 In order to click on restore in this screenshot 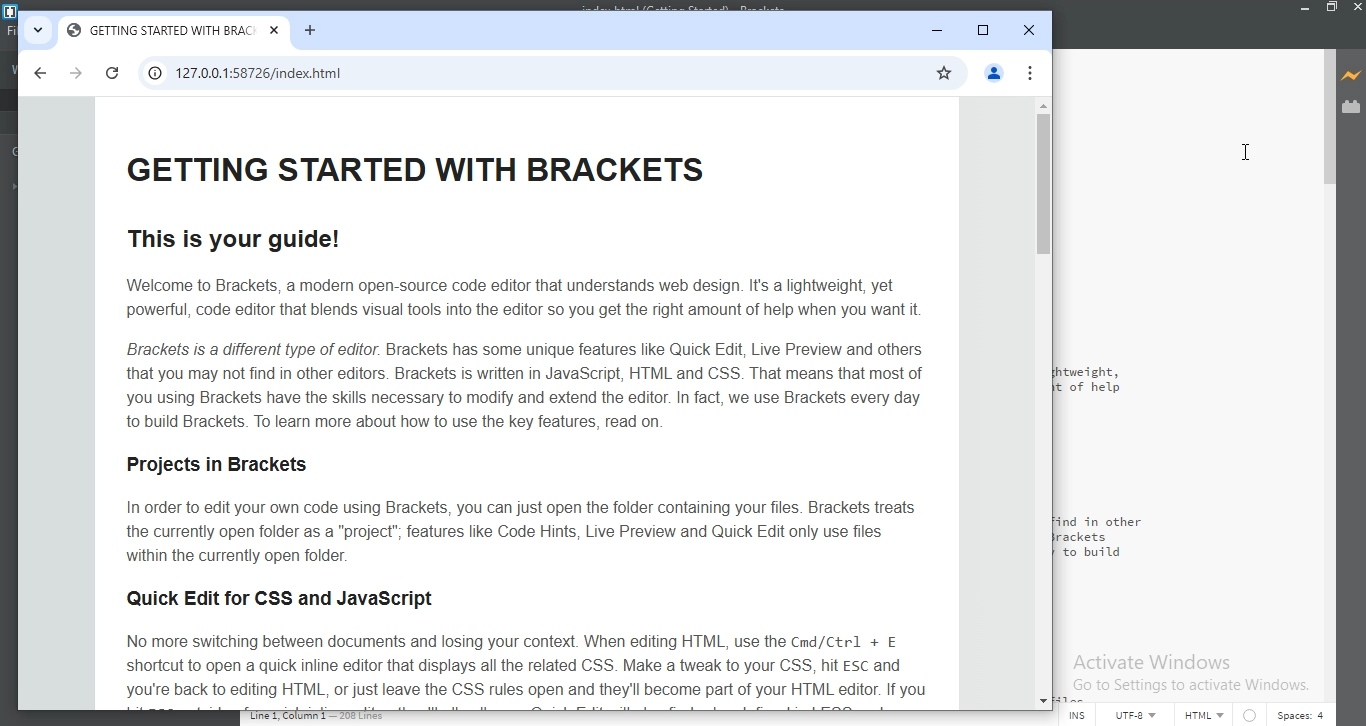, I will do `click(982, 30)`.